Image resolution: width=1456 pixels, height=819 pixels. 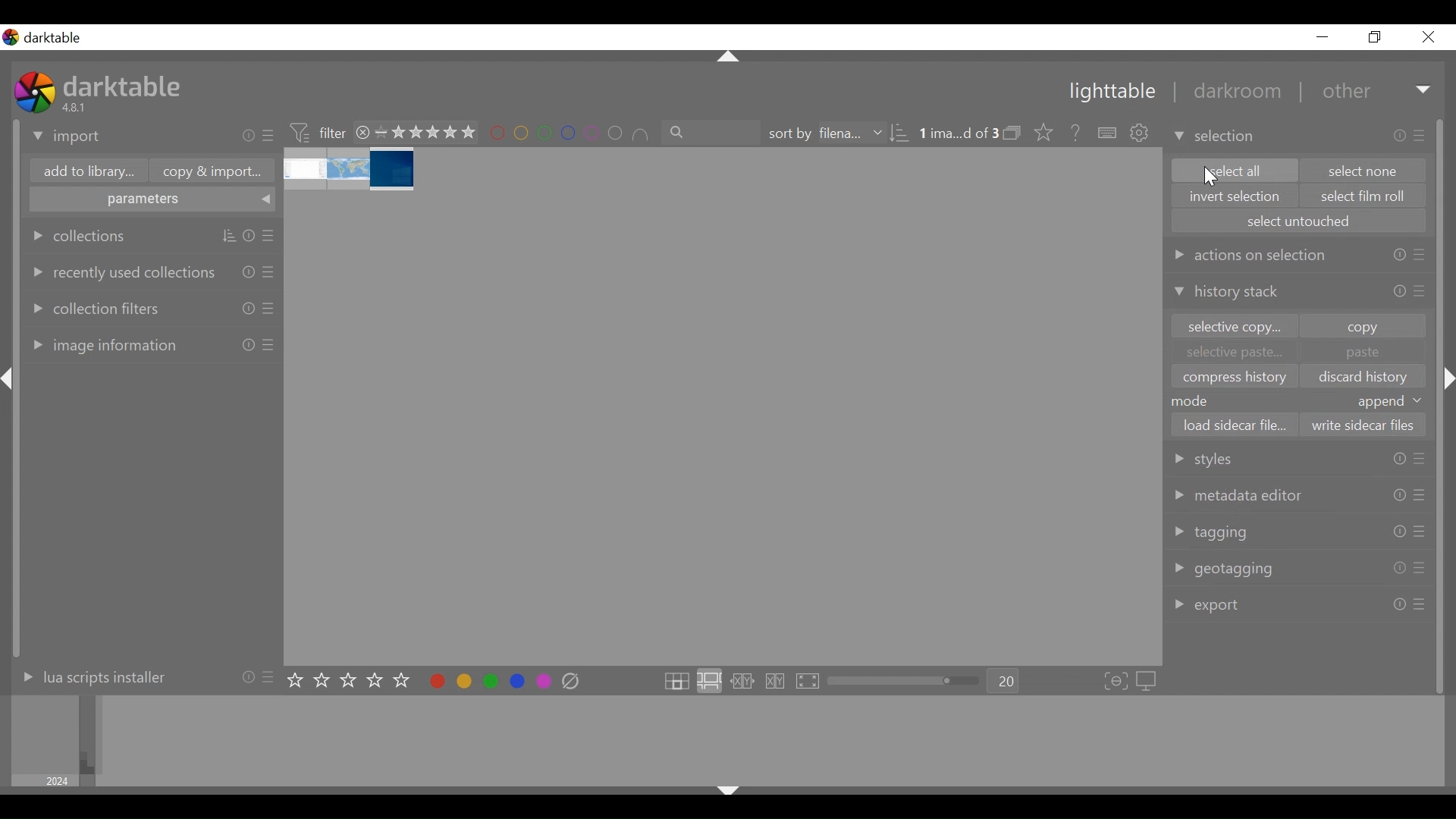 I want to click on presets, so click(x=1422, y=134).